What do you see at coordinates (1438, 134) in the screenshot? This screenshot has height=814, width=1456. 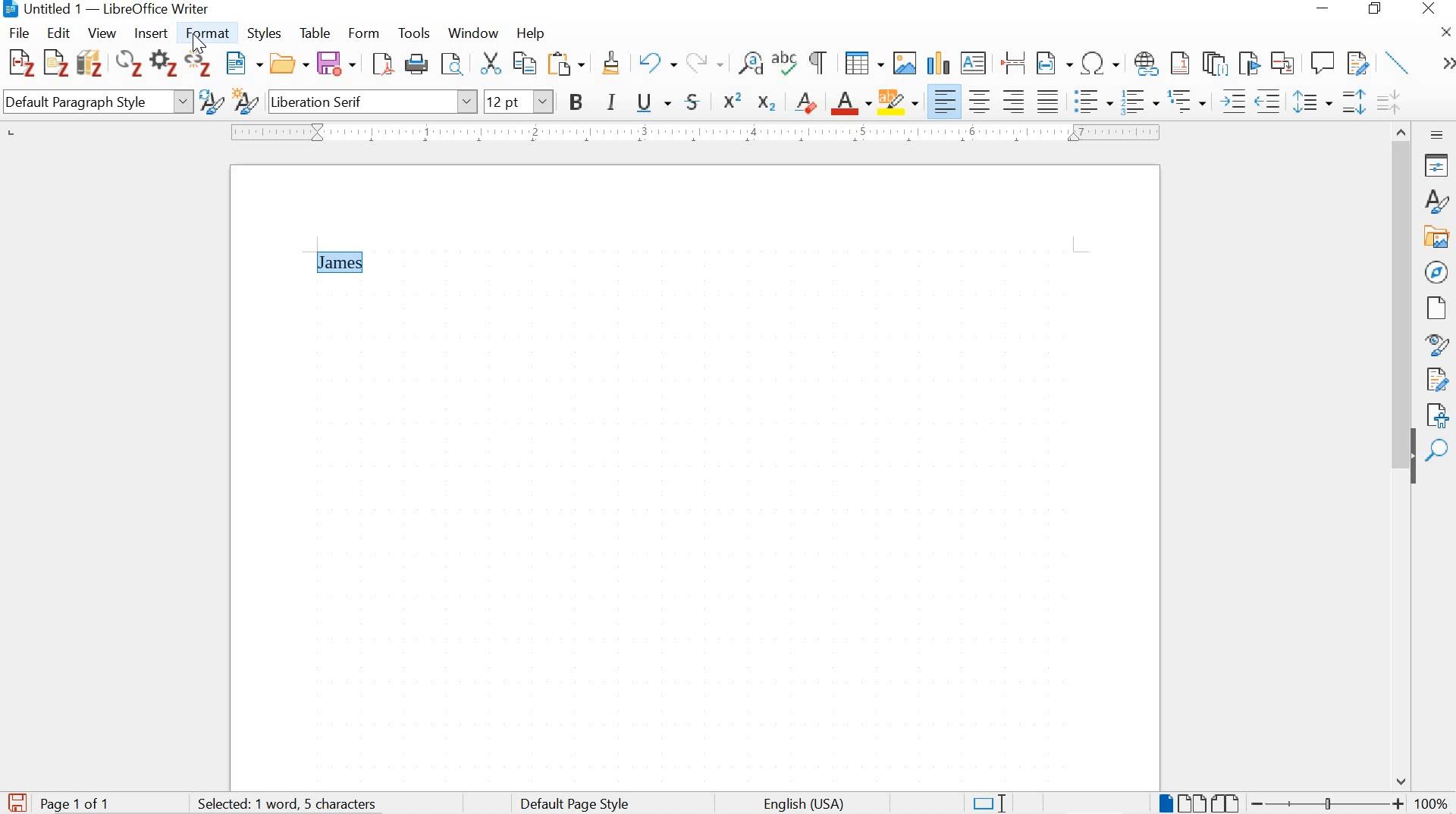 I see `sidebar settings` at bounding box center [1438, 134].